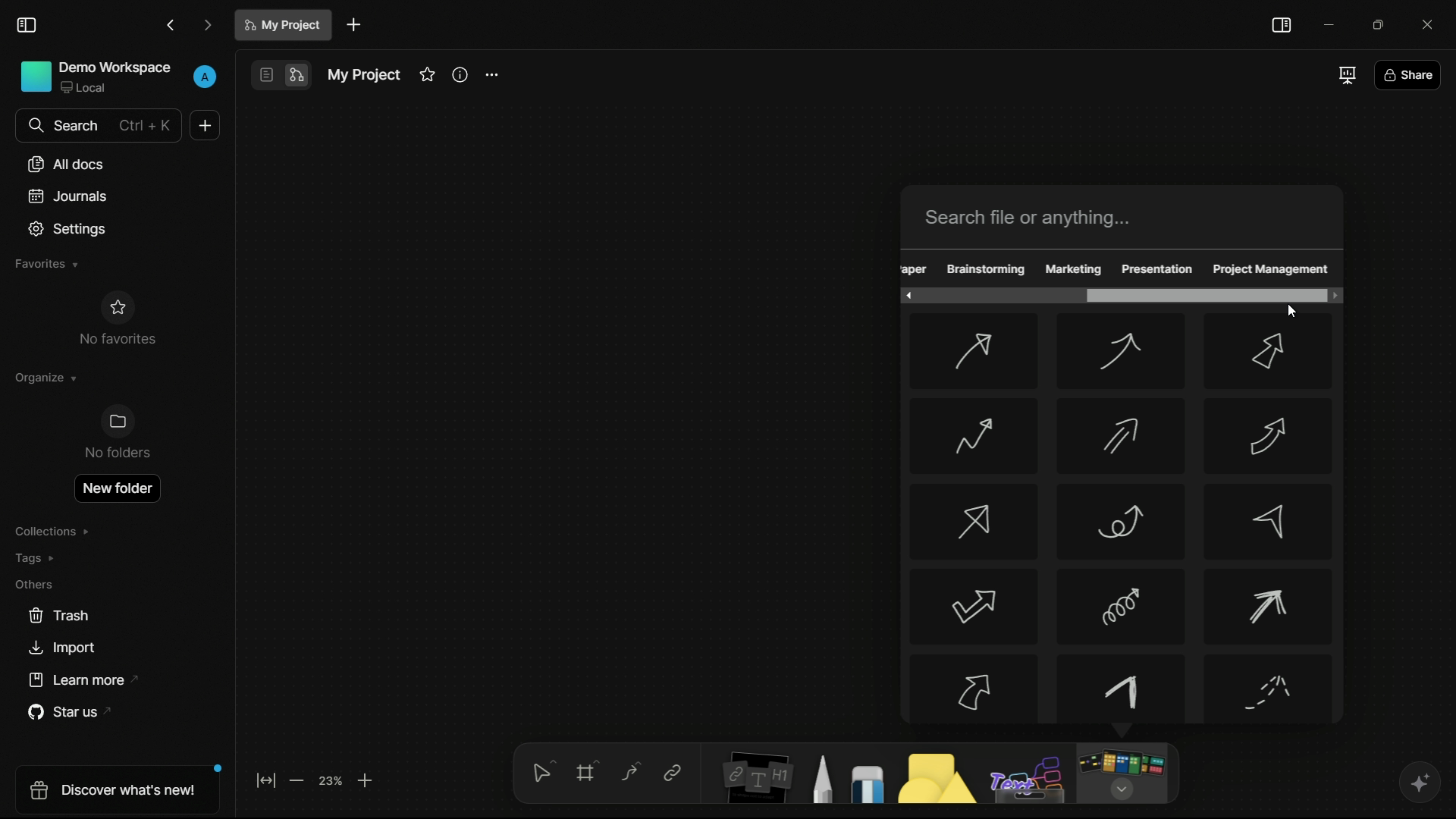 This screenshot has height=819, width=1456. What do you see at coordinates (821, 778) in the screenshot?
I see `pencil and pen` at bounding box center [821, 778].